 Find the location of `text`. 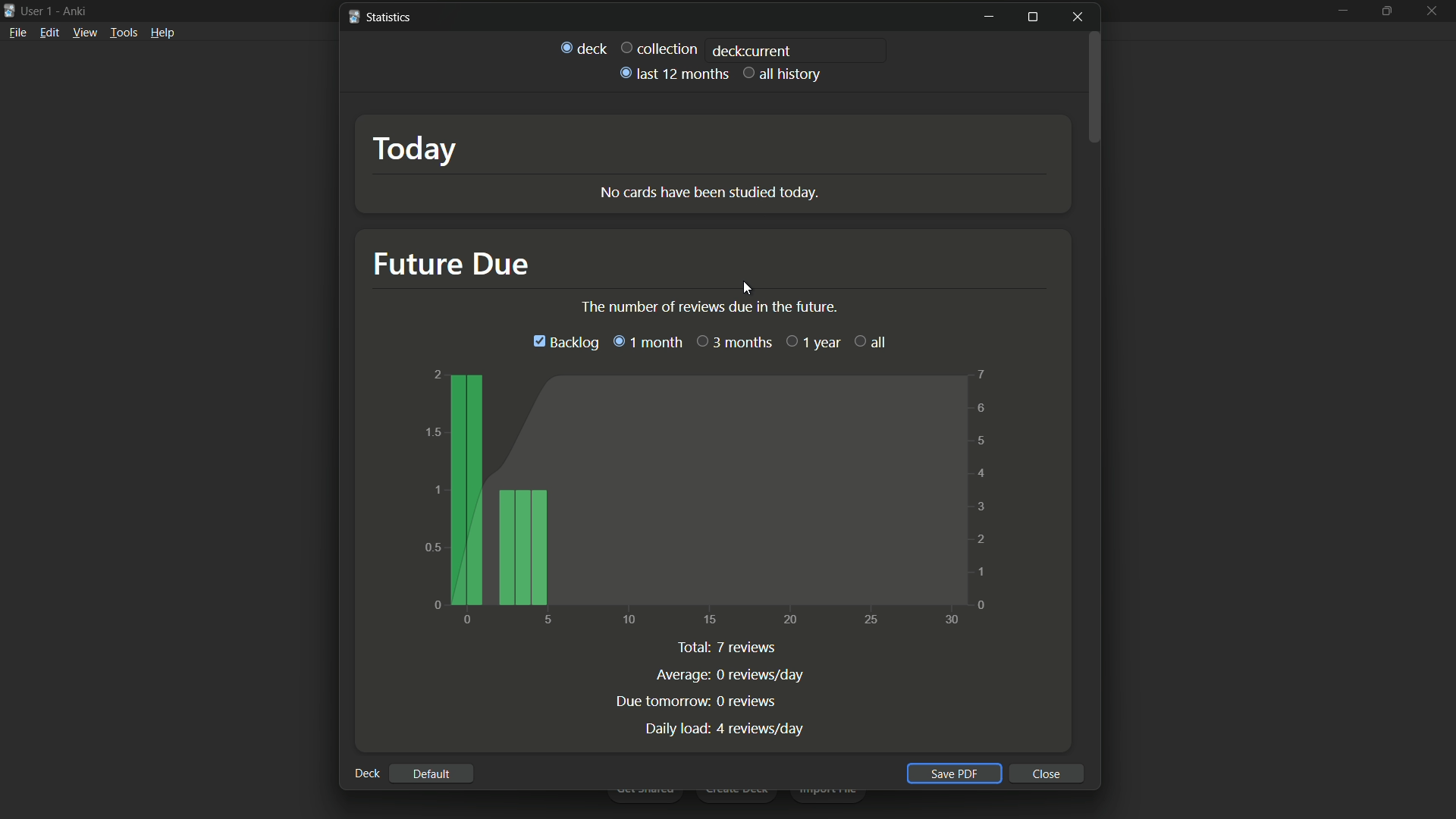

text is located at coordinates (711, 193).